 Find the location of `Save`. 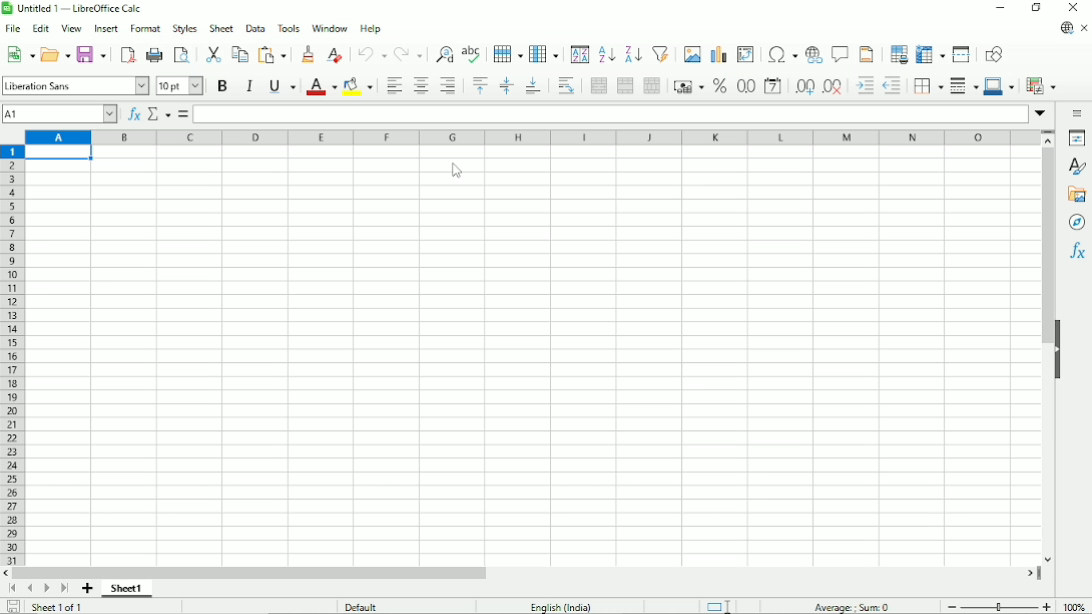

Save is located at coordinates (12, 606).